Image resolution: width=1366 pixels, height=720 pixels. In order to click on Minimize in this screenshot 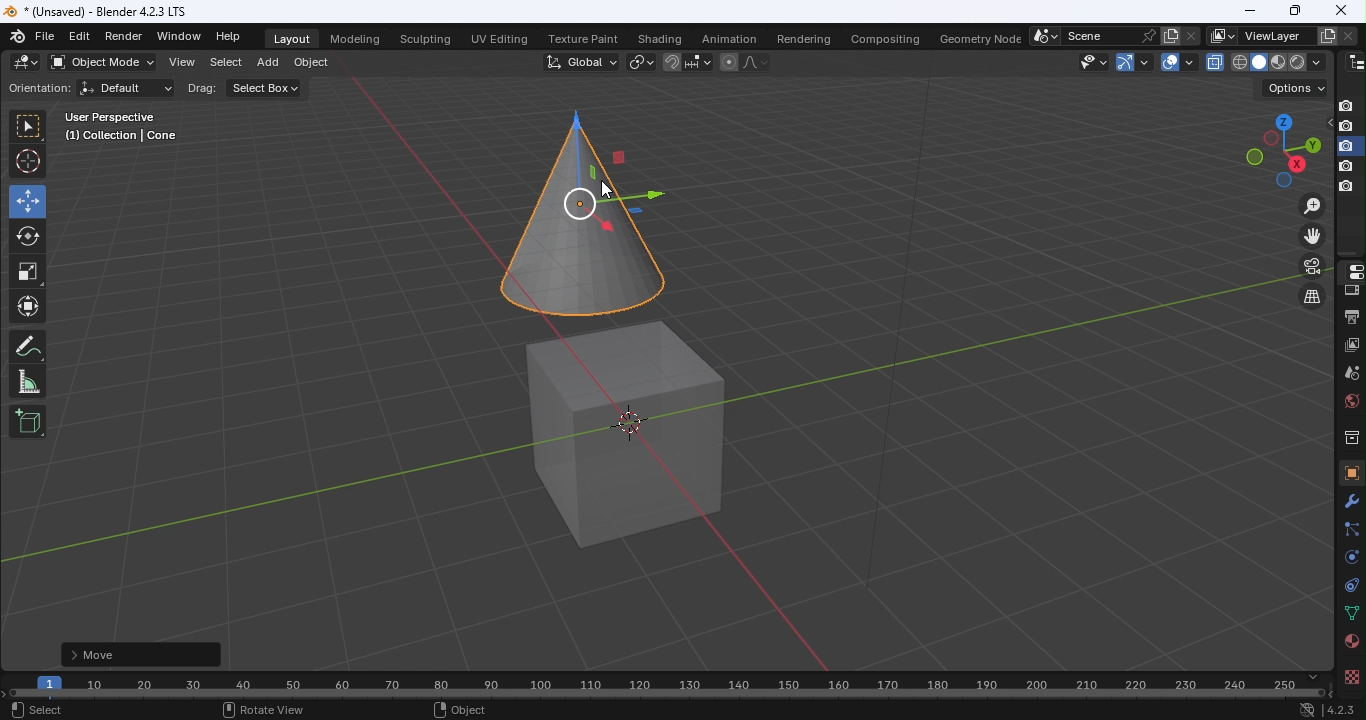, I will do `click(1249, 10)`.